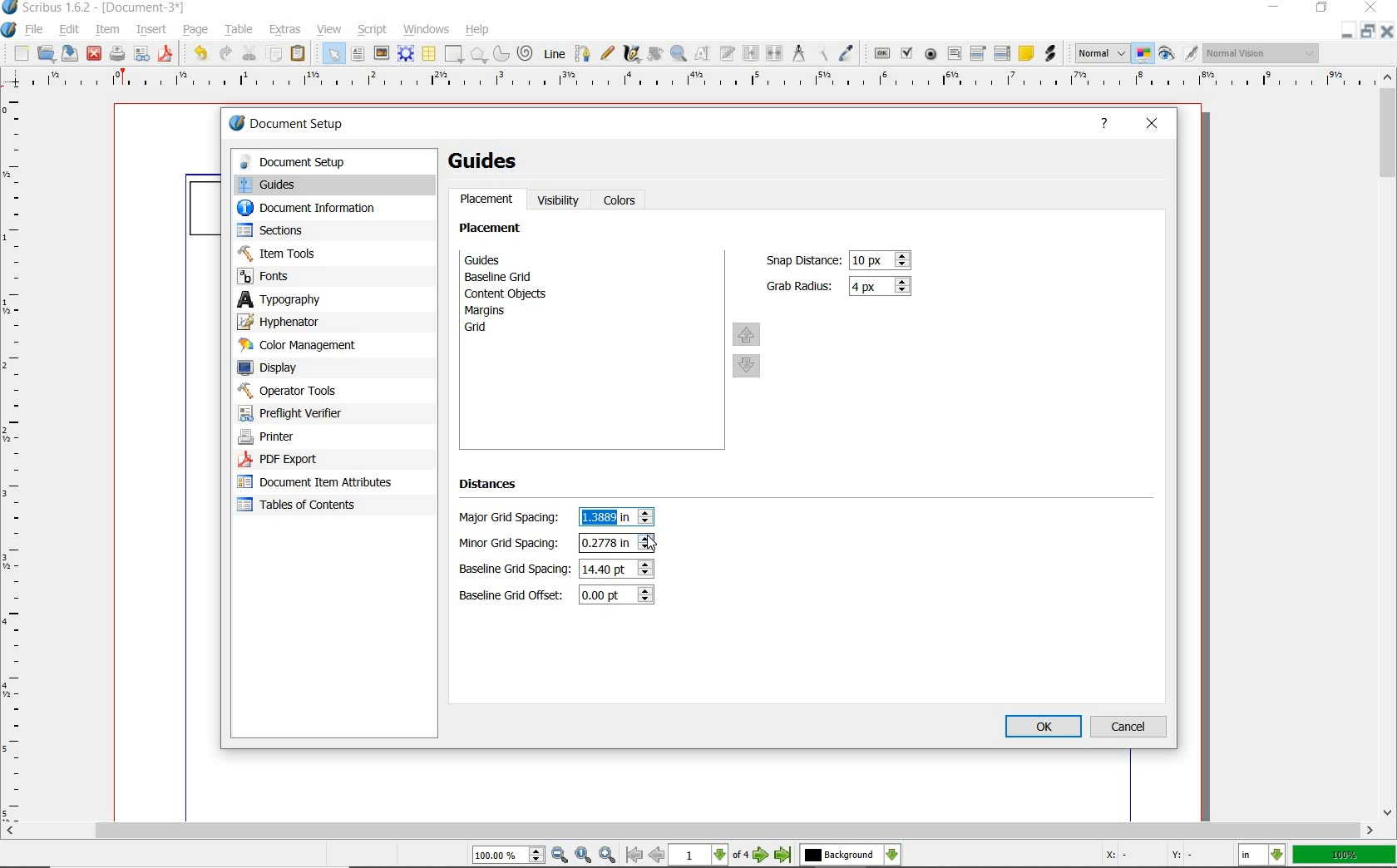 The height and width of the screenshot is (868, 1397). I want to click on color management, so click(322, 346).